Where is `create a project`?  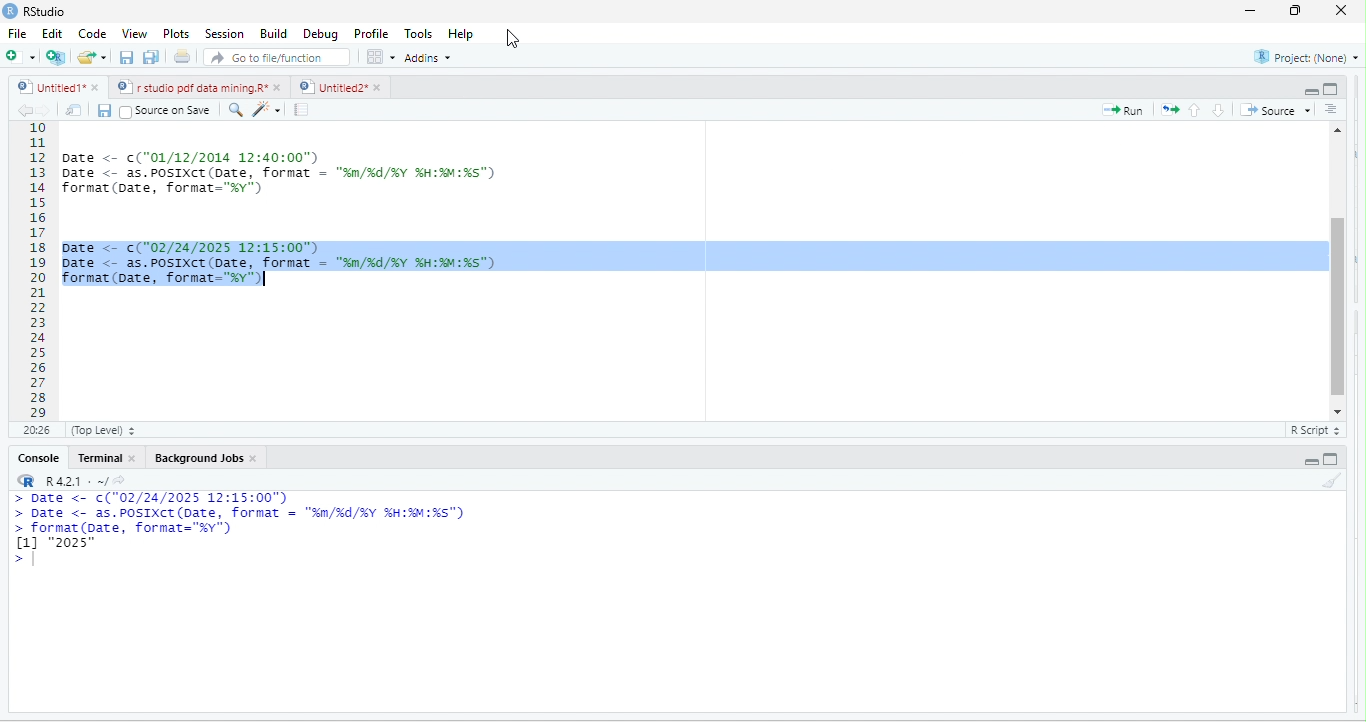 create a project is located at coordinates (54, 57).